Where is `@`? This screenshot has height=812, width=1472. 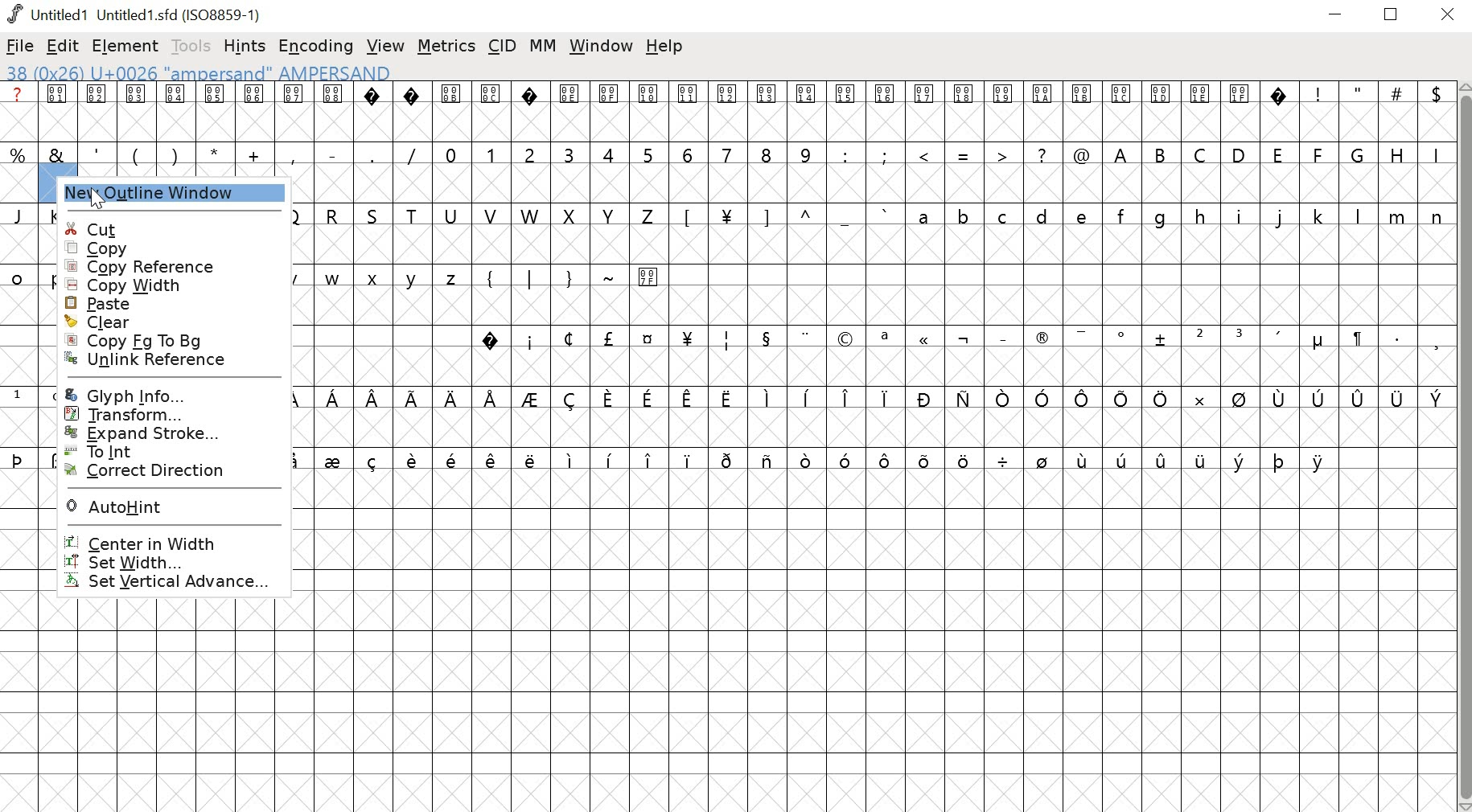 @ is located at coordinates (1082, 153).